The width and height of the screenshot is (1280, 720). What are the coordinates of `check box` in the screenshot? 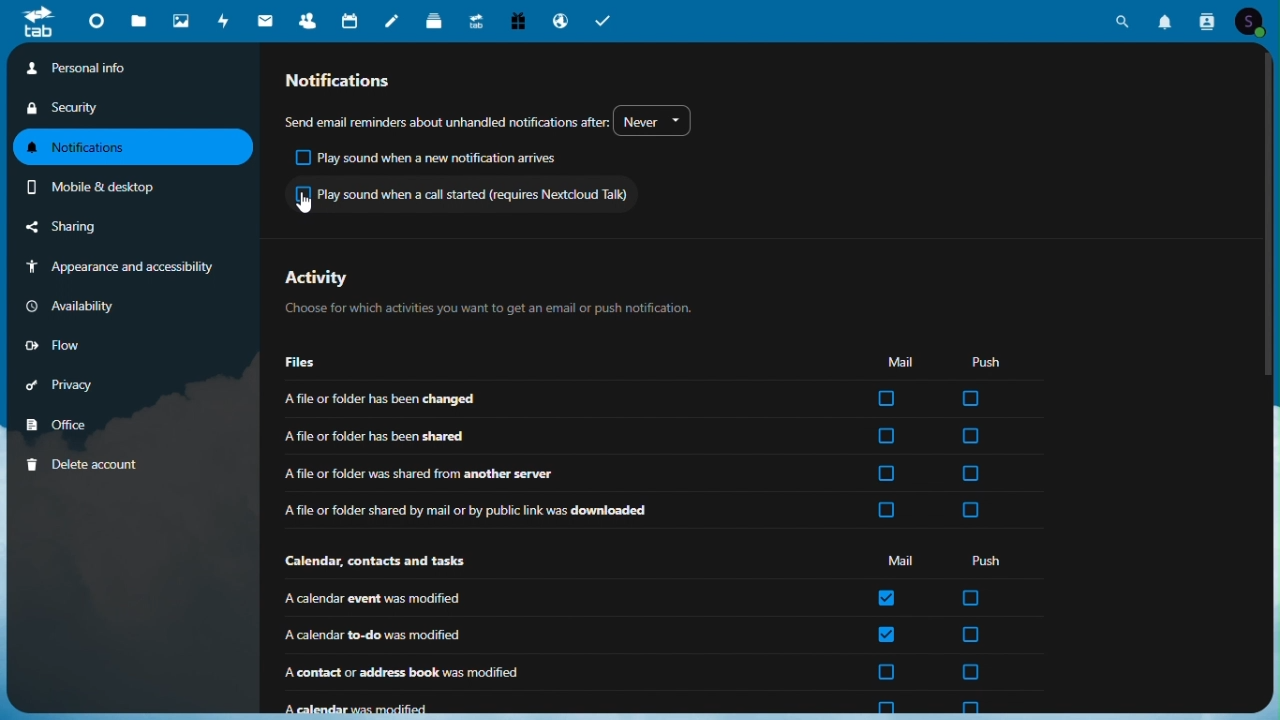 It's located at (968, 510).